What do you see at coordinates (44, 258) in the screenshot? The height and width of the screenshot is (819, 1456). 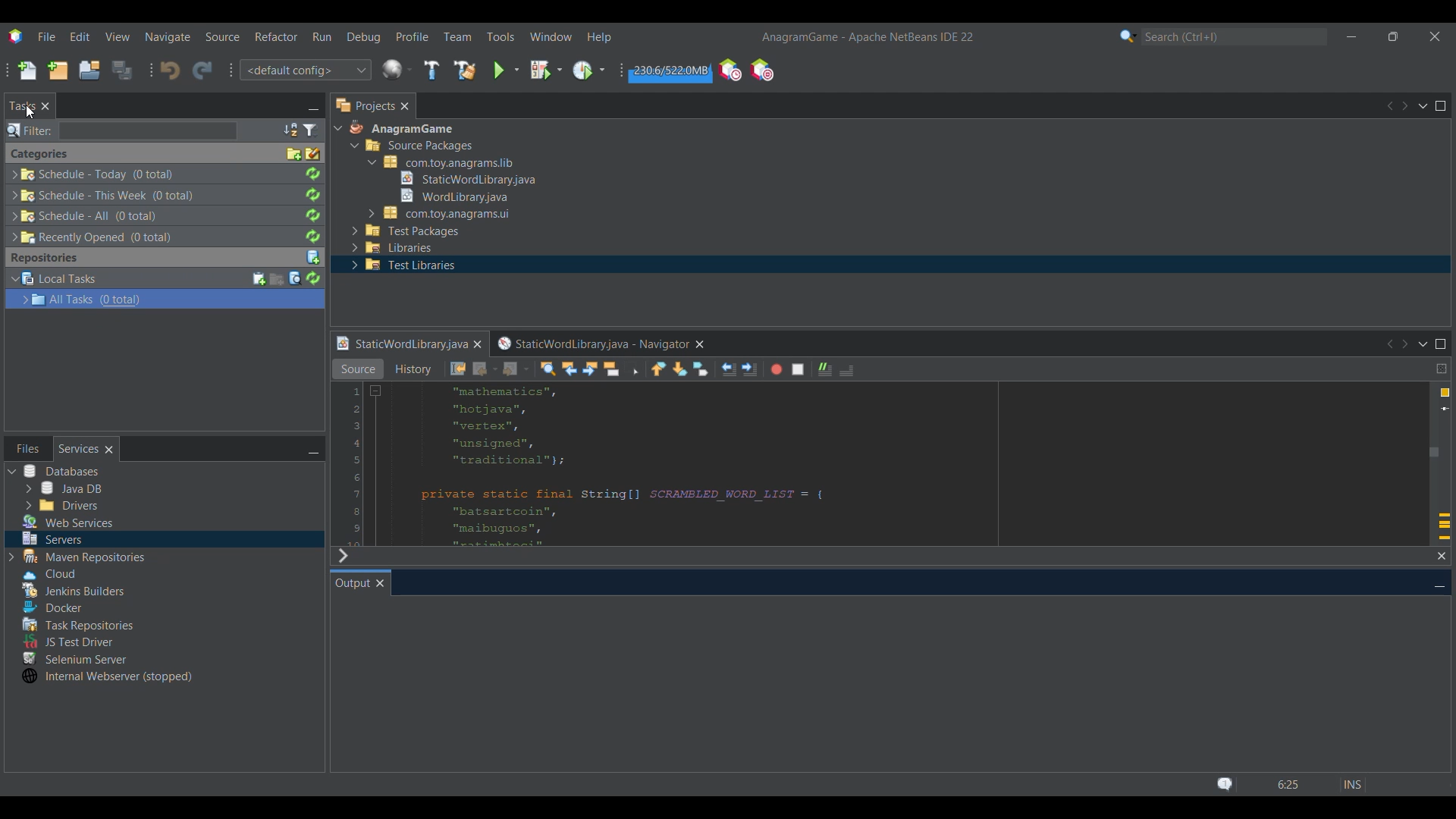 I see `Section title` at bounding box center [44, 258].